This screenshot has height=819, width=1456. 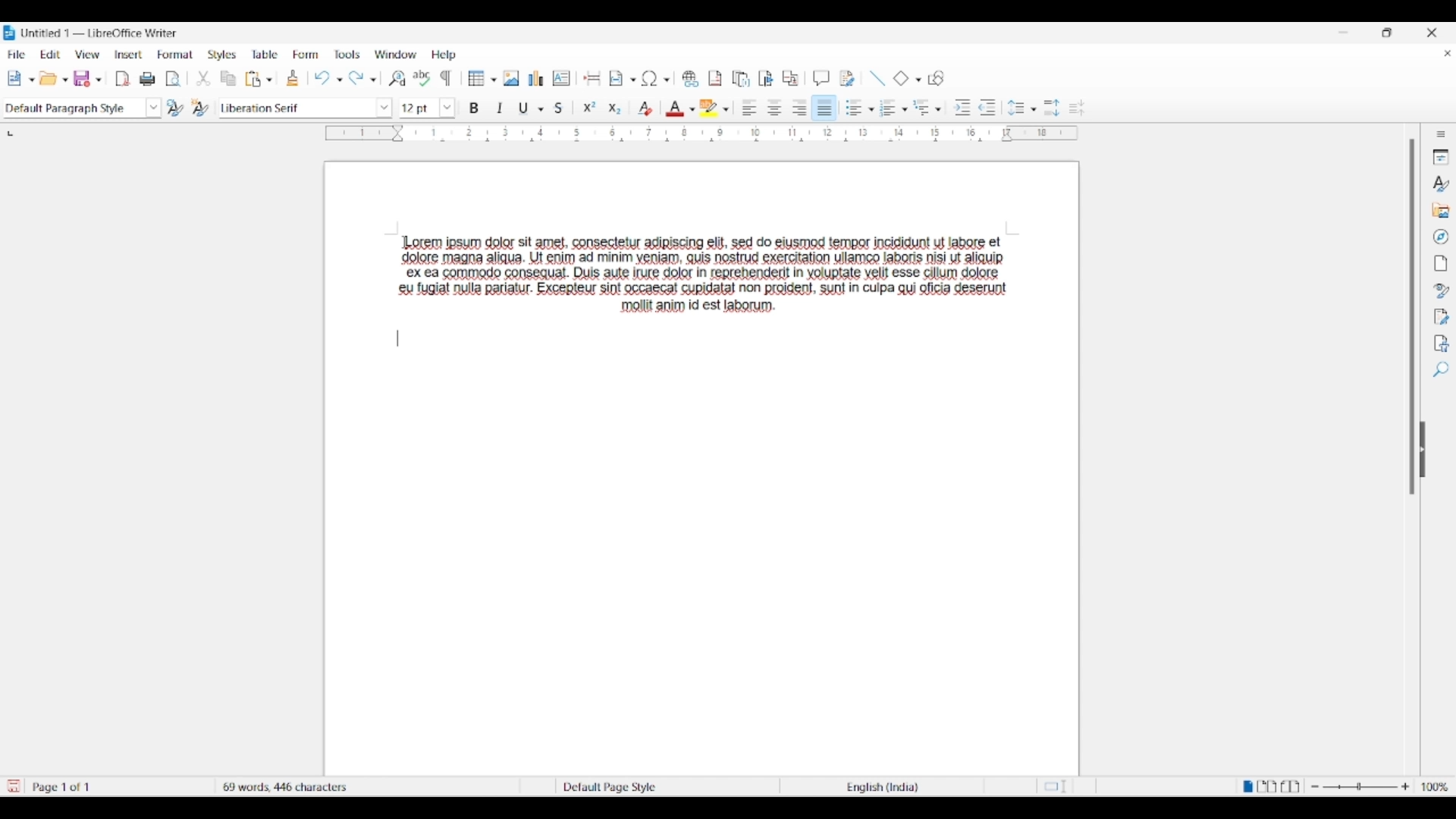 I want to click on Insert chart, so click(x=536, y=78).